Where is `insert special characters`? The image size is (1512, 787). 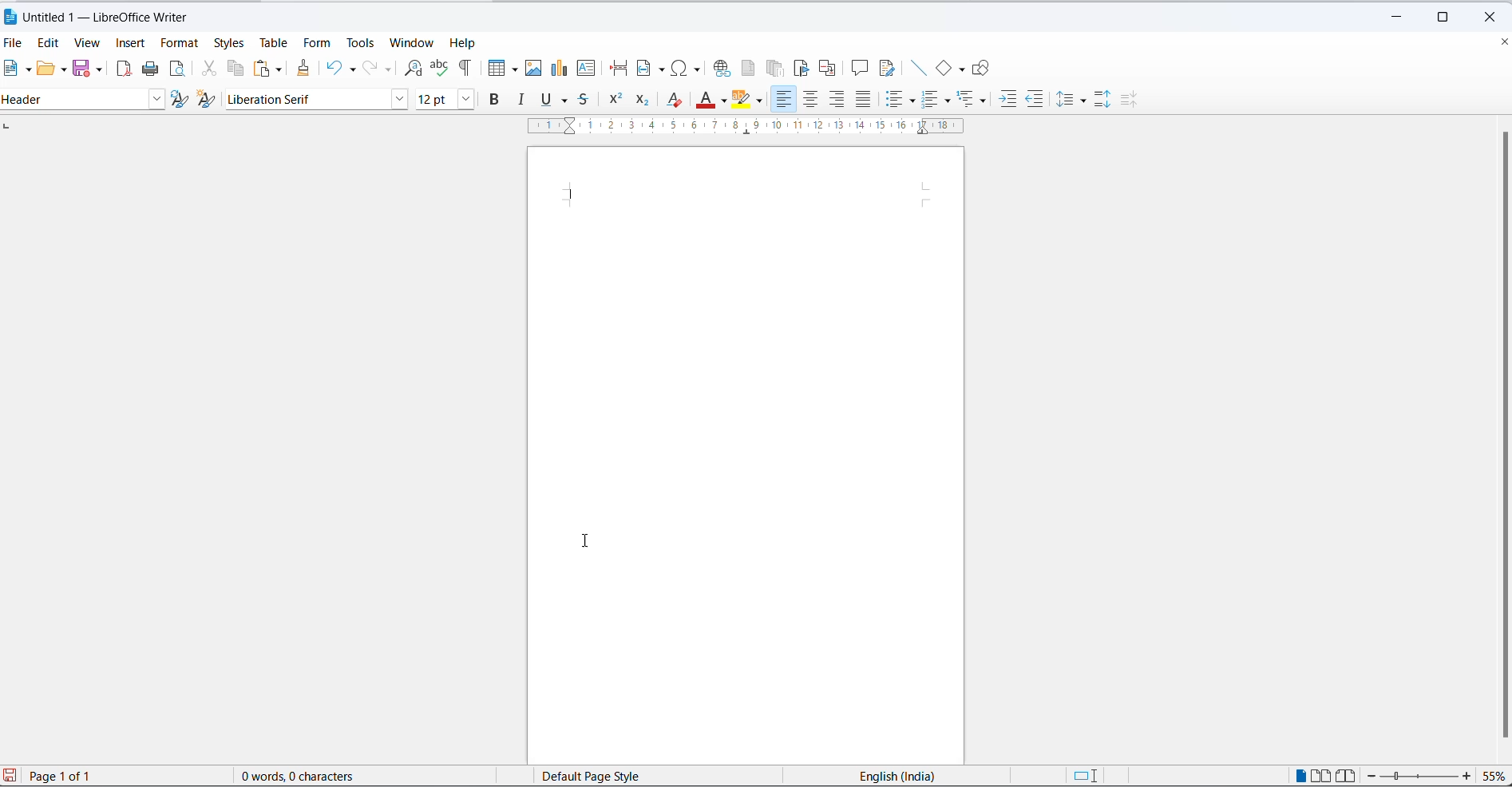
insert special characters is located at coordinates (688, 68).